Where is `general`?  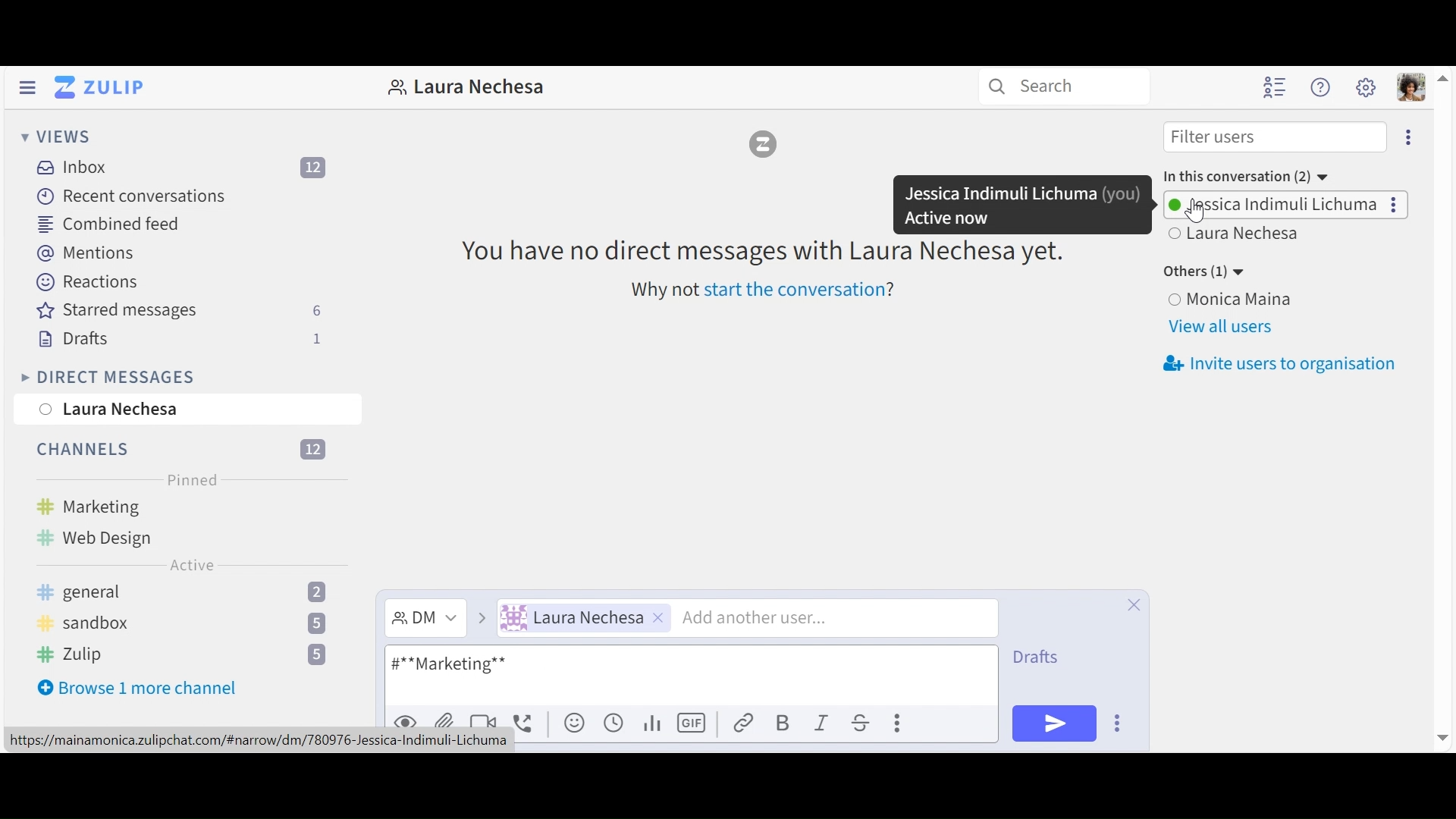 general is located at coordinates (190, 592).